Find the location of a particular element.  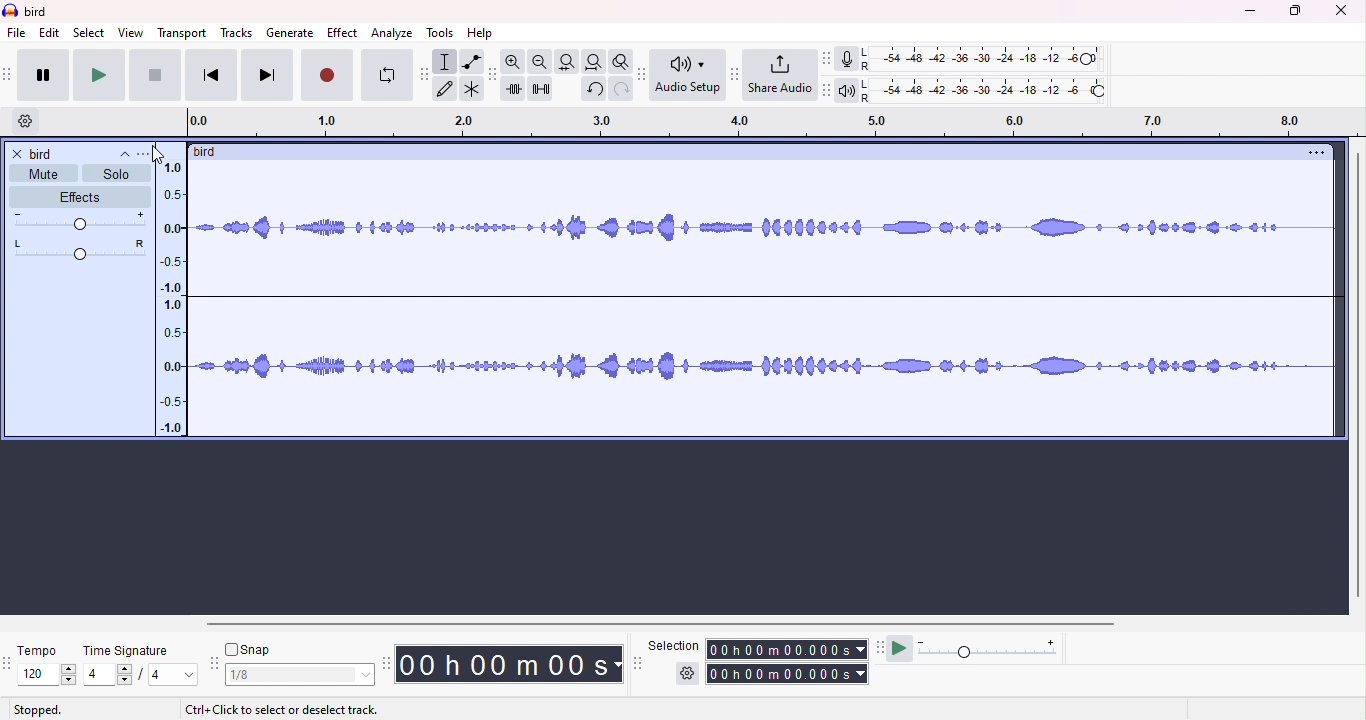

pan is located at coordinates (81, 247).